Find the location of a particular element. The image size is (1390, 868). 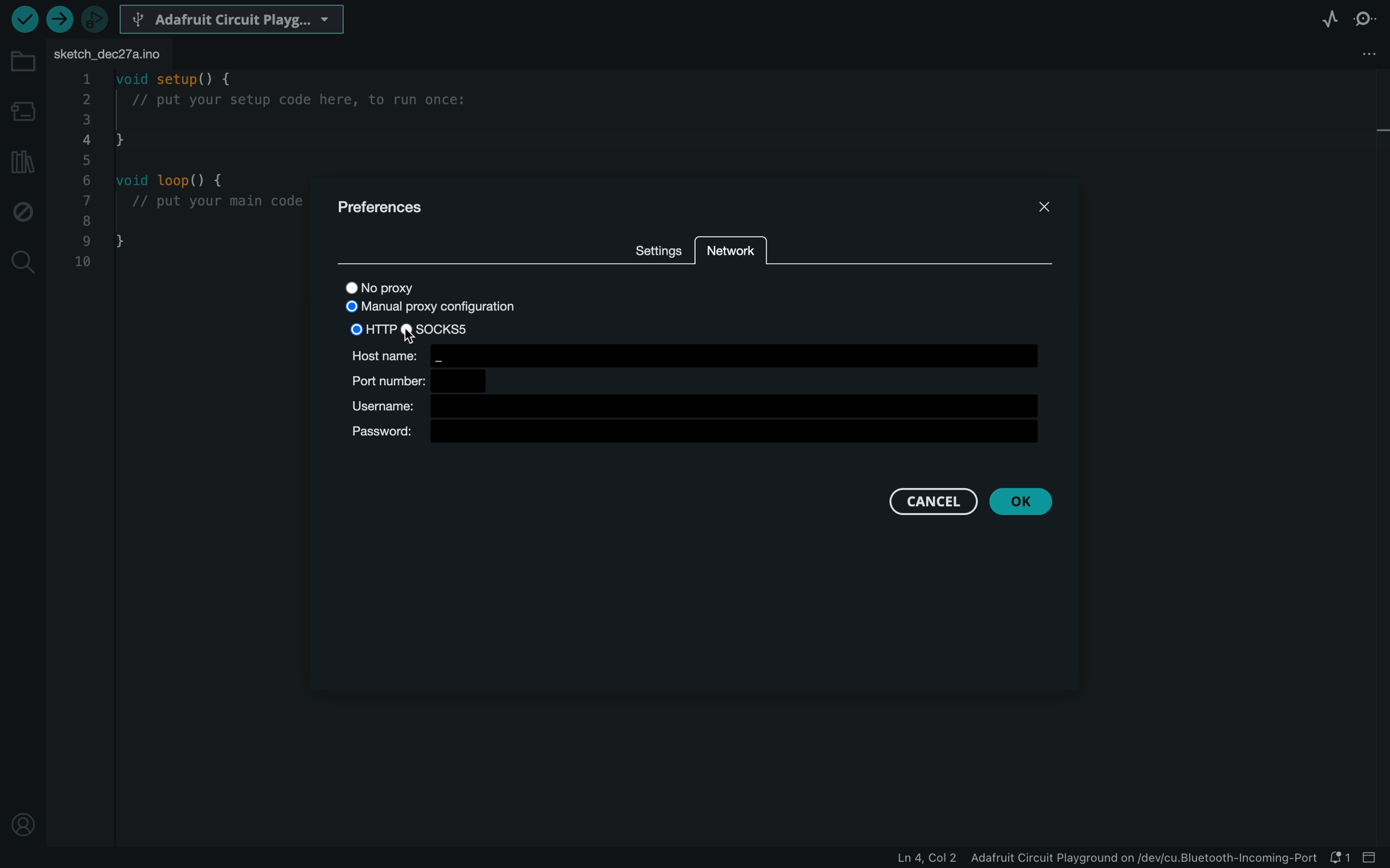

manual proxy is located at coordinates (434, 308).